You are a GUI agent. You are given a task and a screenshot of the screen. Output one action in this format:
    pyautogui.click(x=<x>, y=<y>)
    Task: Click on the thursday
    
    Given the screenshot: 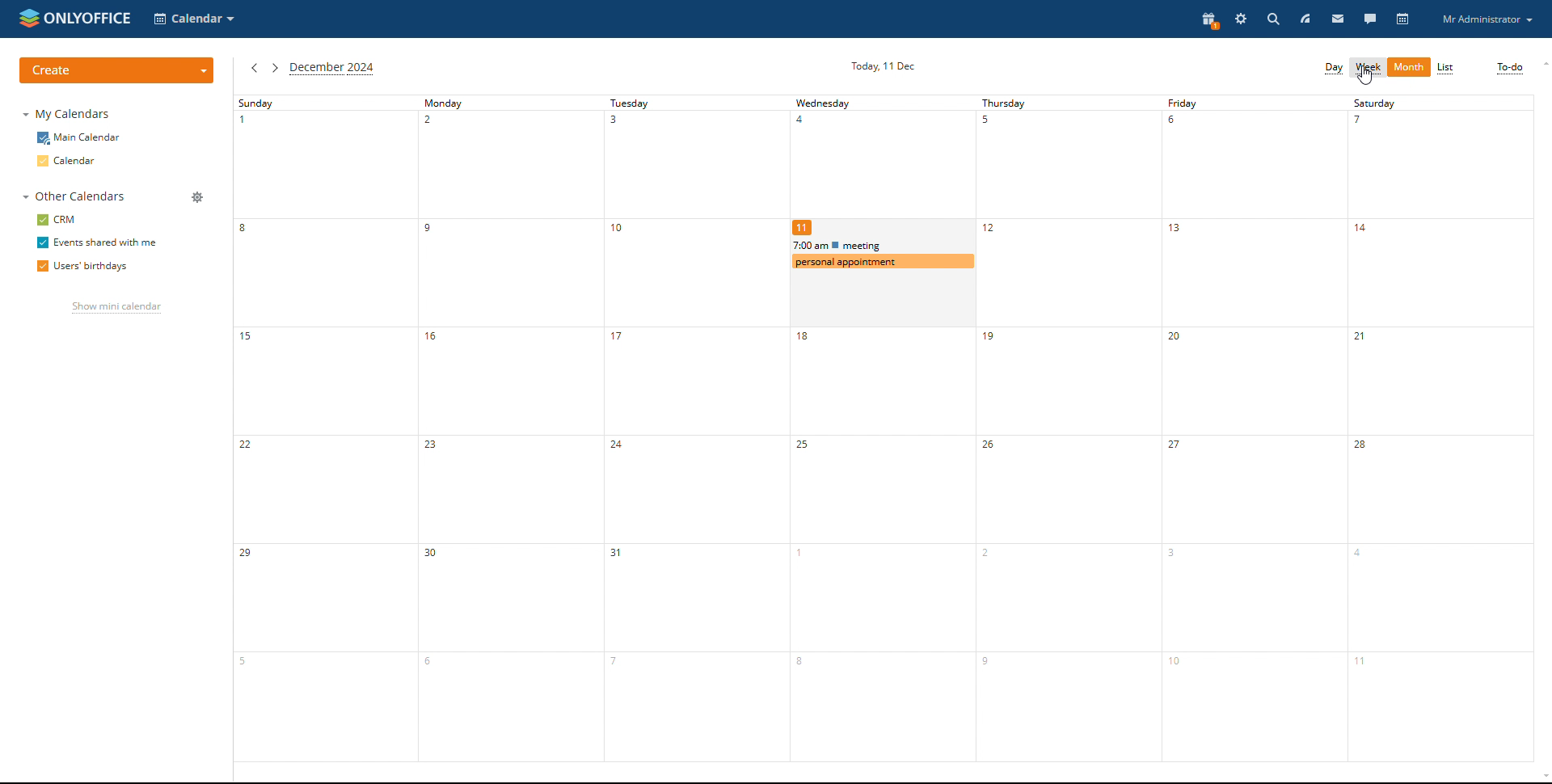 What is the action you would take?
    pyautogui.click(x=1068, y=428)
    